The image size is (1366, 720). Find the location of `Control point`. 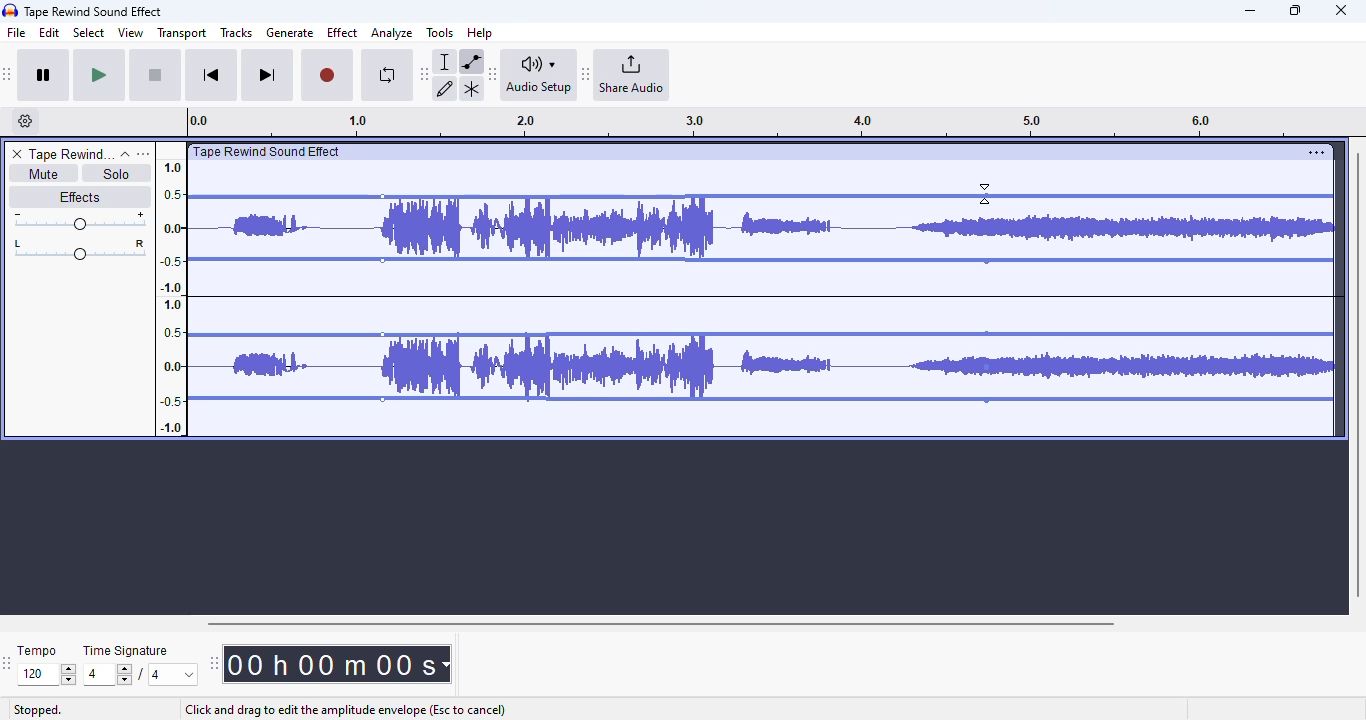

Control point is located at coordinates (987, 262).